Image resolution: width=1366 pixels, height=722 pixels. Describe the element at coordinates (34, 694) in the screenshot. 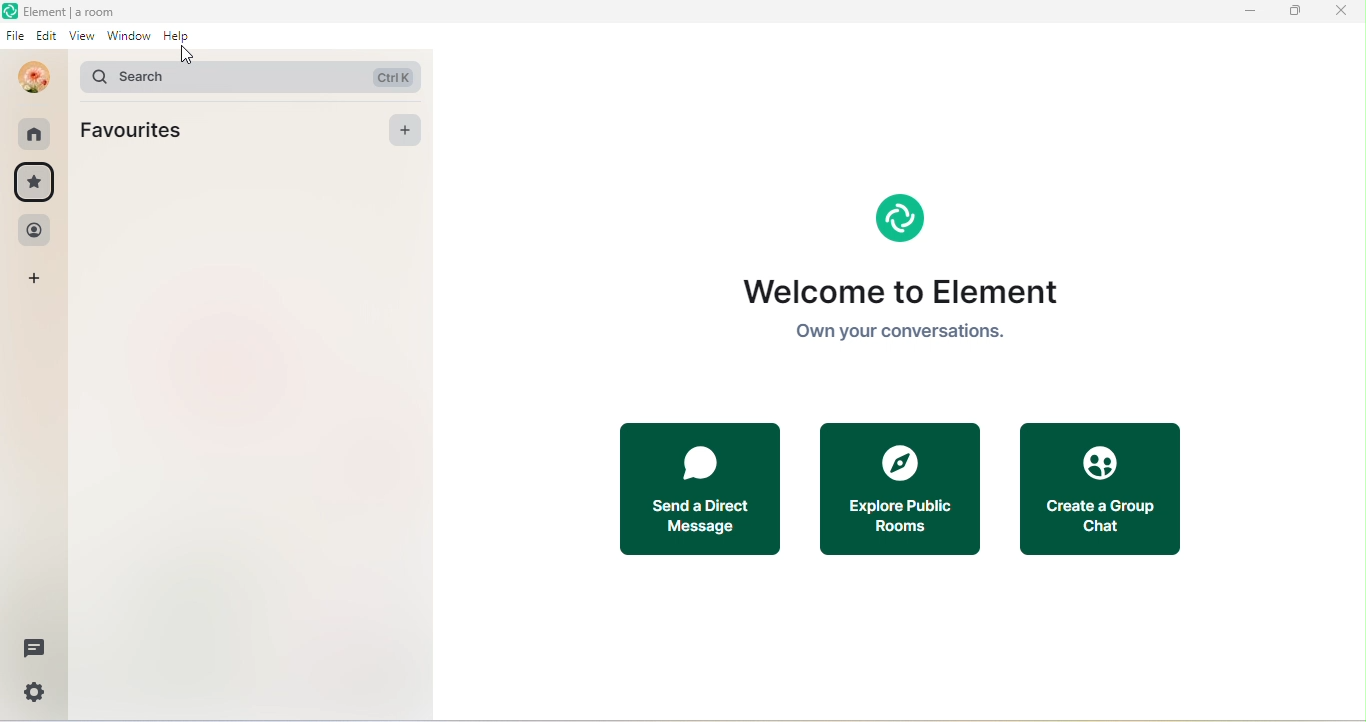

I see `setting` at that location.